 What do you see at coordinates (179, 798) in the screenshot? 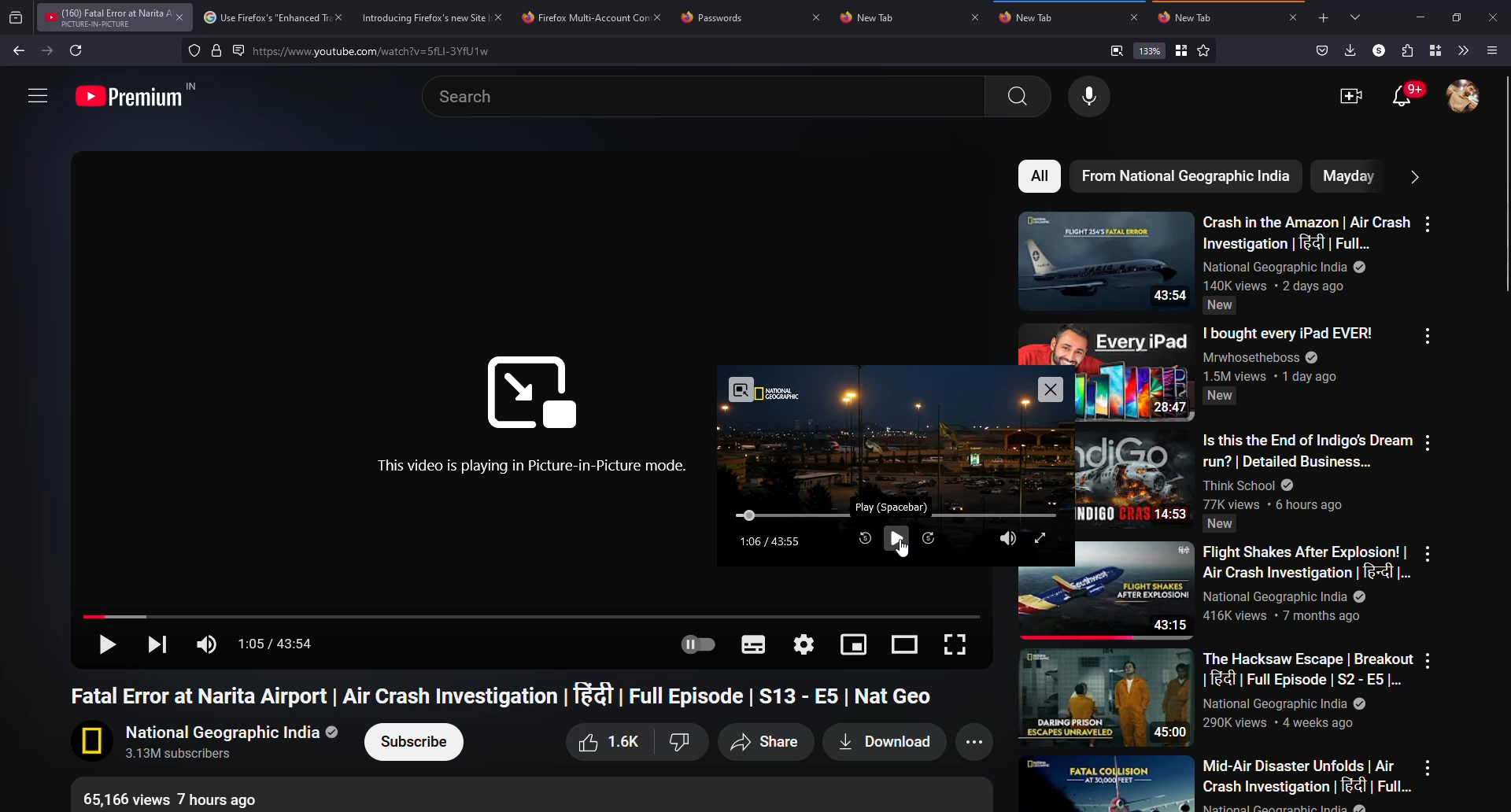
I see `Video info` at bounding box center [179, 798].